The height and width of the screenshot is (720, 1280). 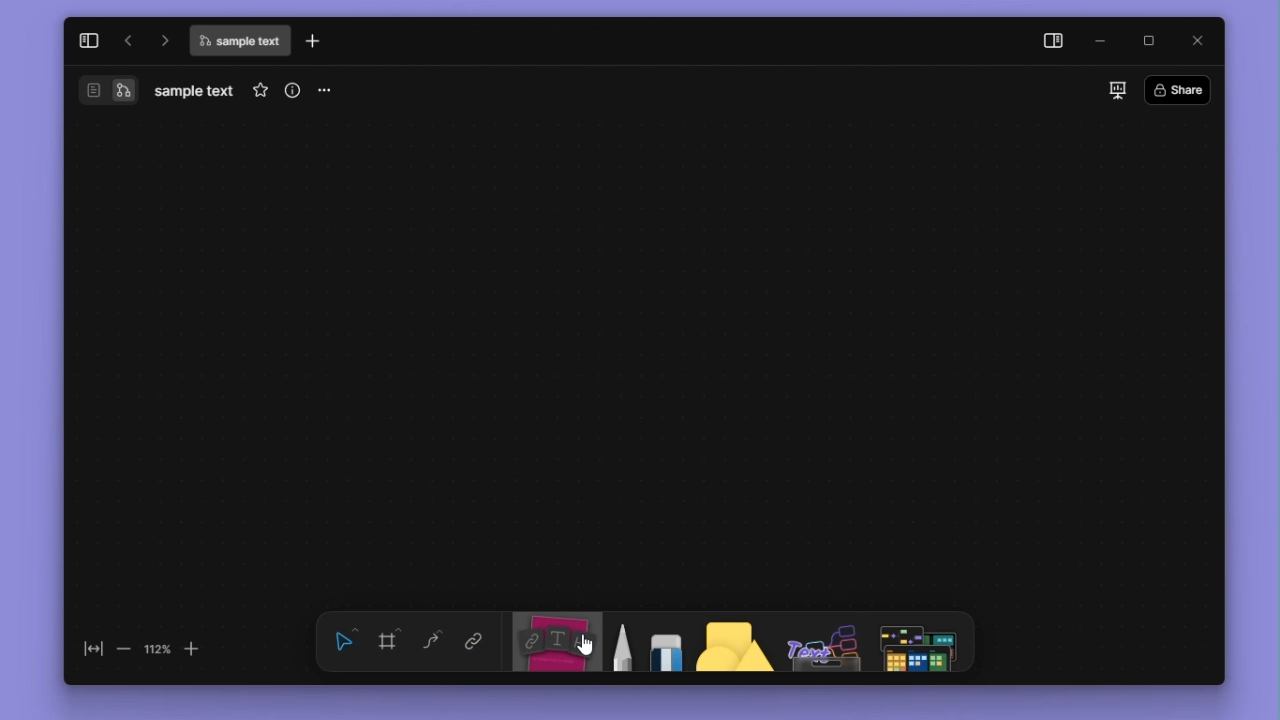 What do you see at coordinates (163, 40) in the screenshot?
I see `go forward` at bounding box center [163, 40].